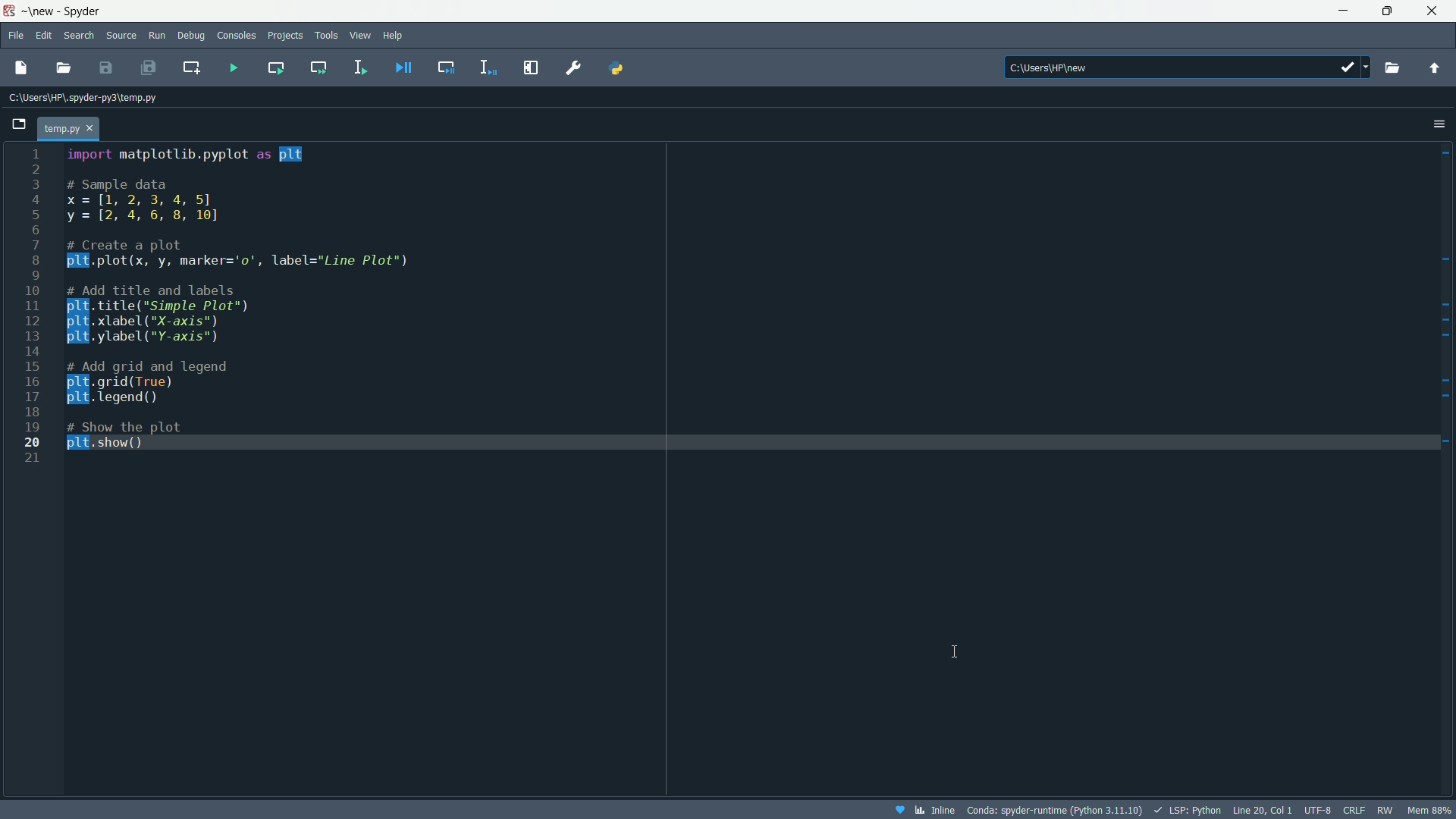 This screenshot has height=819, width=1456. I want to click on open file, so click(64, 68).